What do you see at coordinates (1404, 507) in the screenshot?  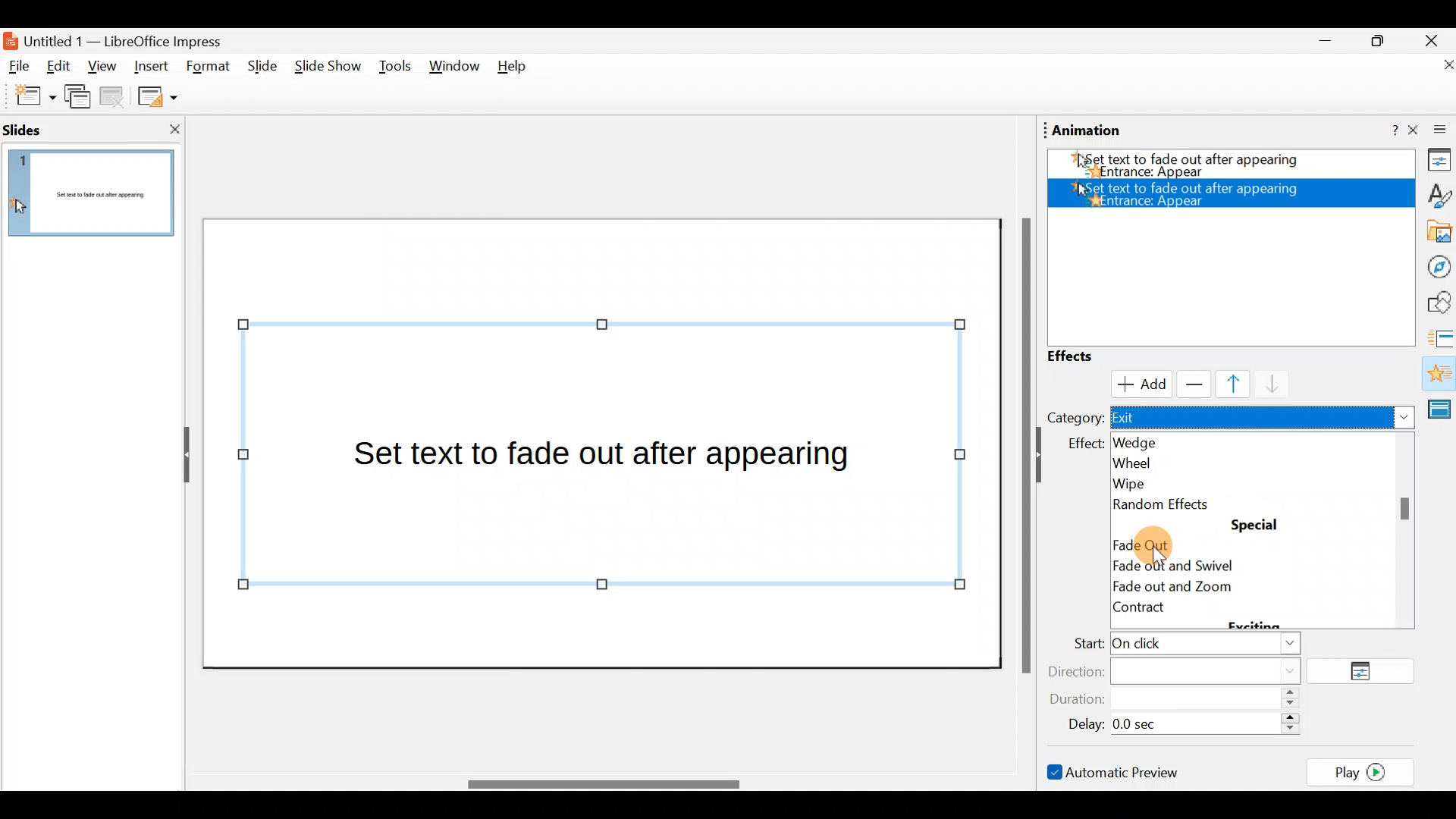 I see `scroll bar` at bounding box center [1404, 507].